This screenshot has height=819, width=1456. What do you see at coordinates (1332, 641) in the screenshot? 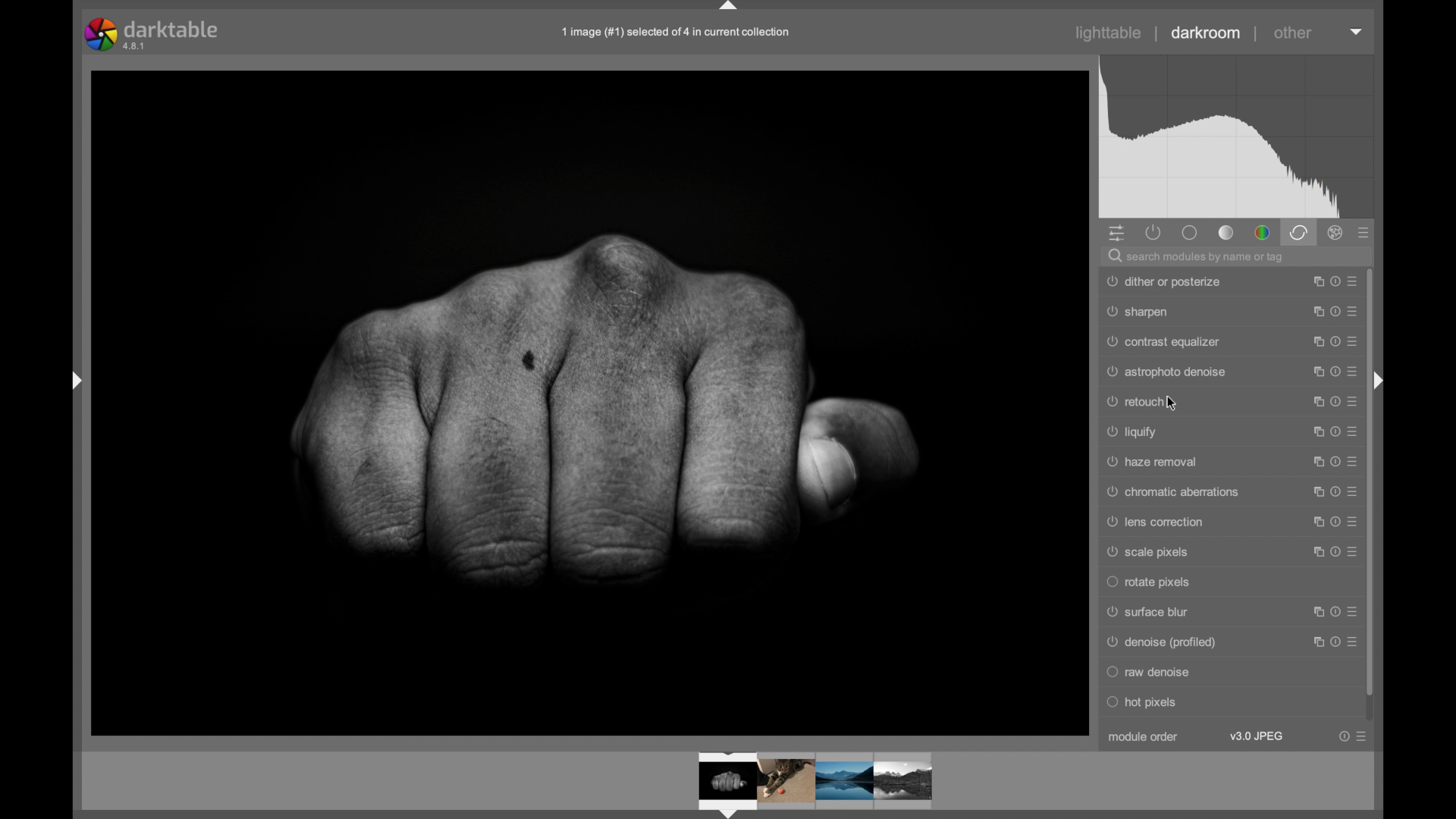
I see `help` at bounding box center [1332, 641].